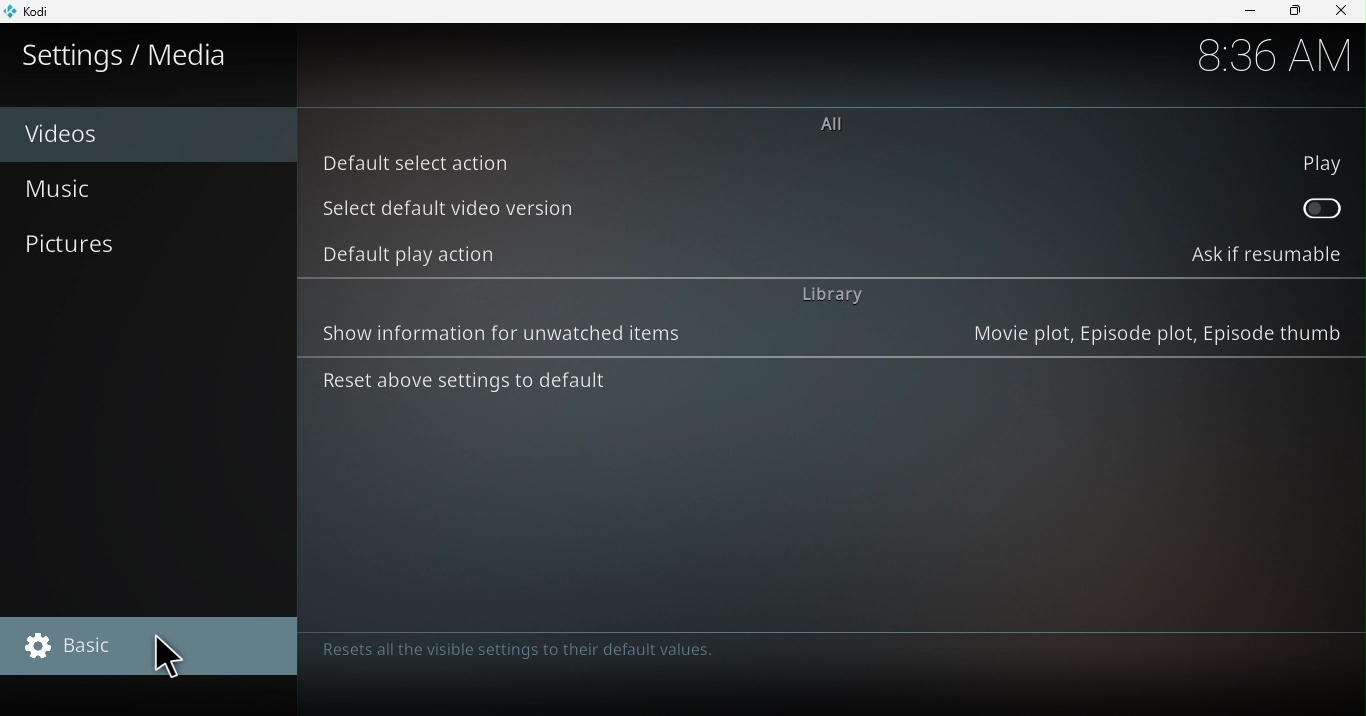  Describe the element at coordinates (1242, 12) in the screenshot. I see `Minimize` at that location.